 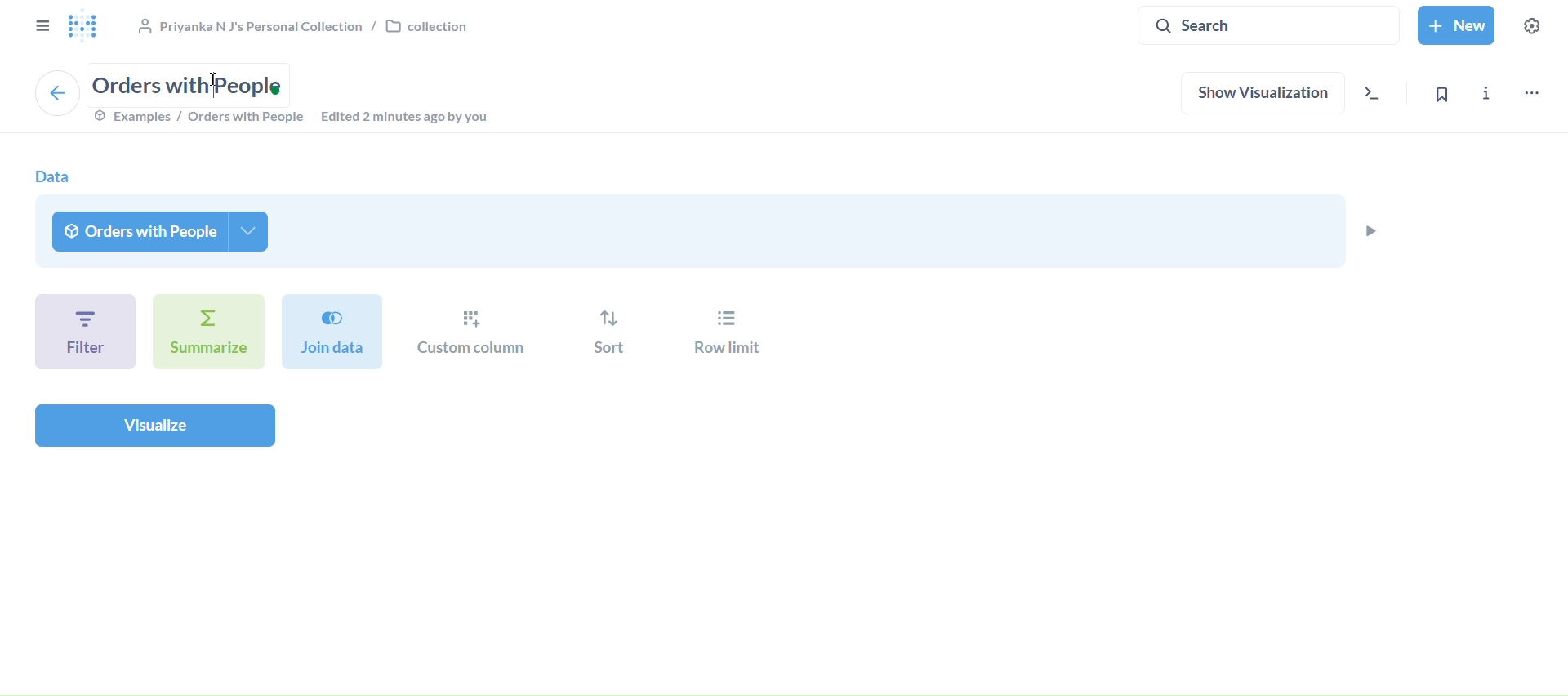 What do you see at coordinates (1370, 230) in the screenshot?
I see `preview` at bounding box center [1370, 230].